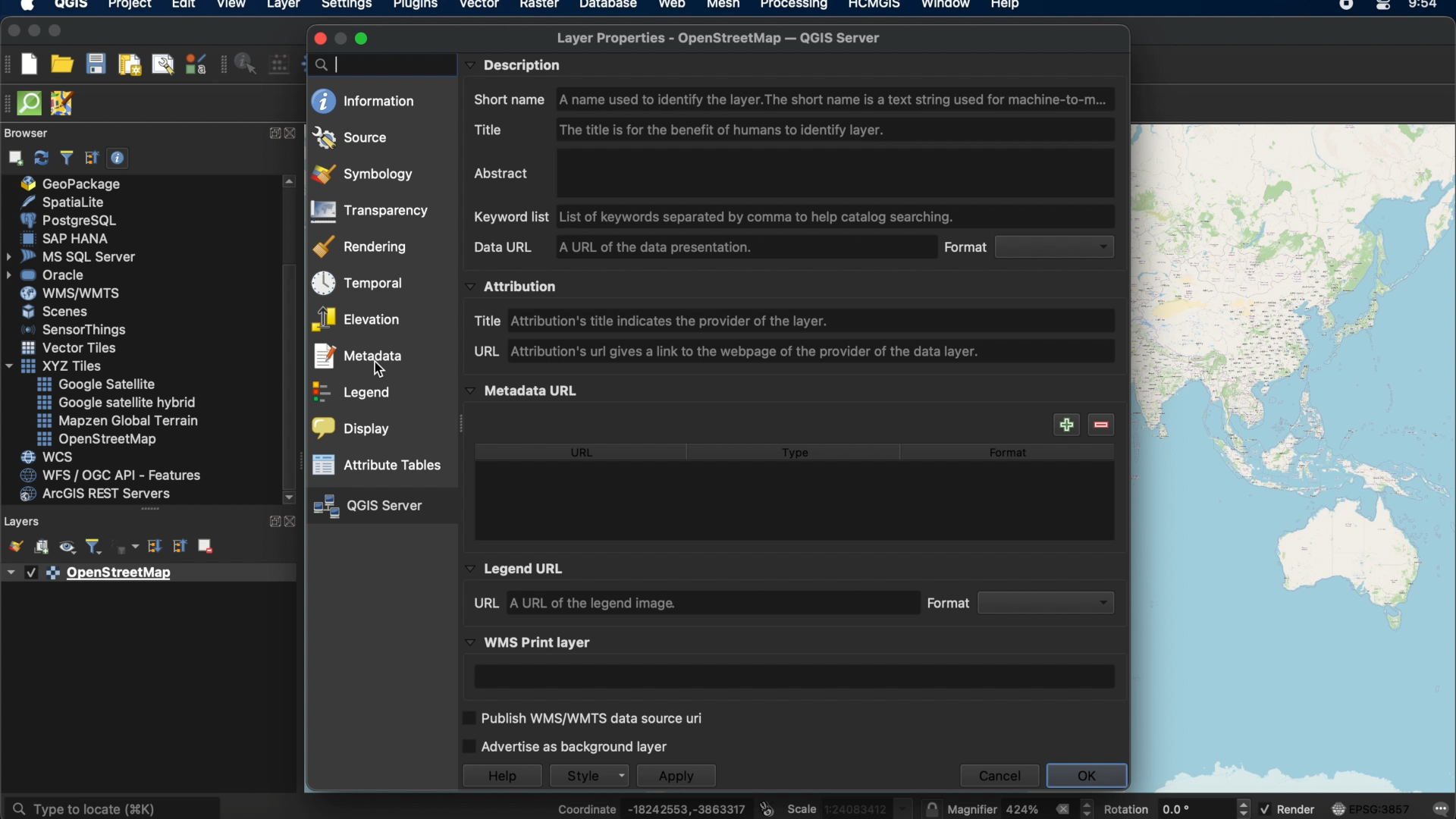 The image size is (1456, 819). Describe the element at coordinates (31, 64) in the screenshot. I see `new project` at that location.